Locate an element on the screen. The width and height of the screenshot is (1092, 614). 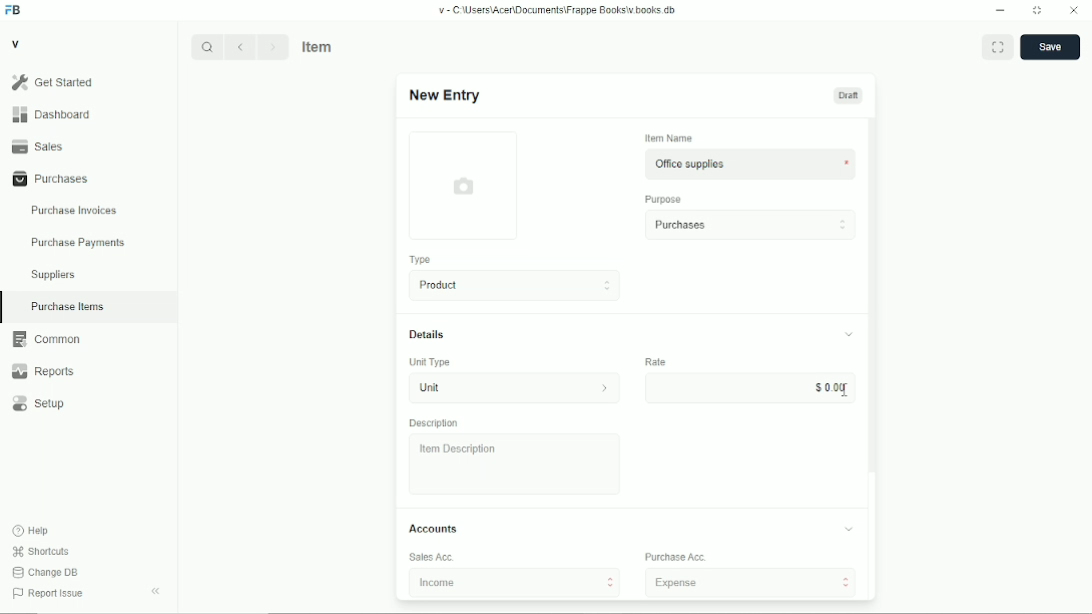
suppliers is located at coordinates (53, 275).